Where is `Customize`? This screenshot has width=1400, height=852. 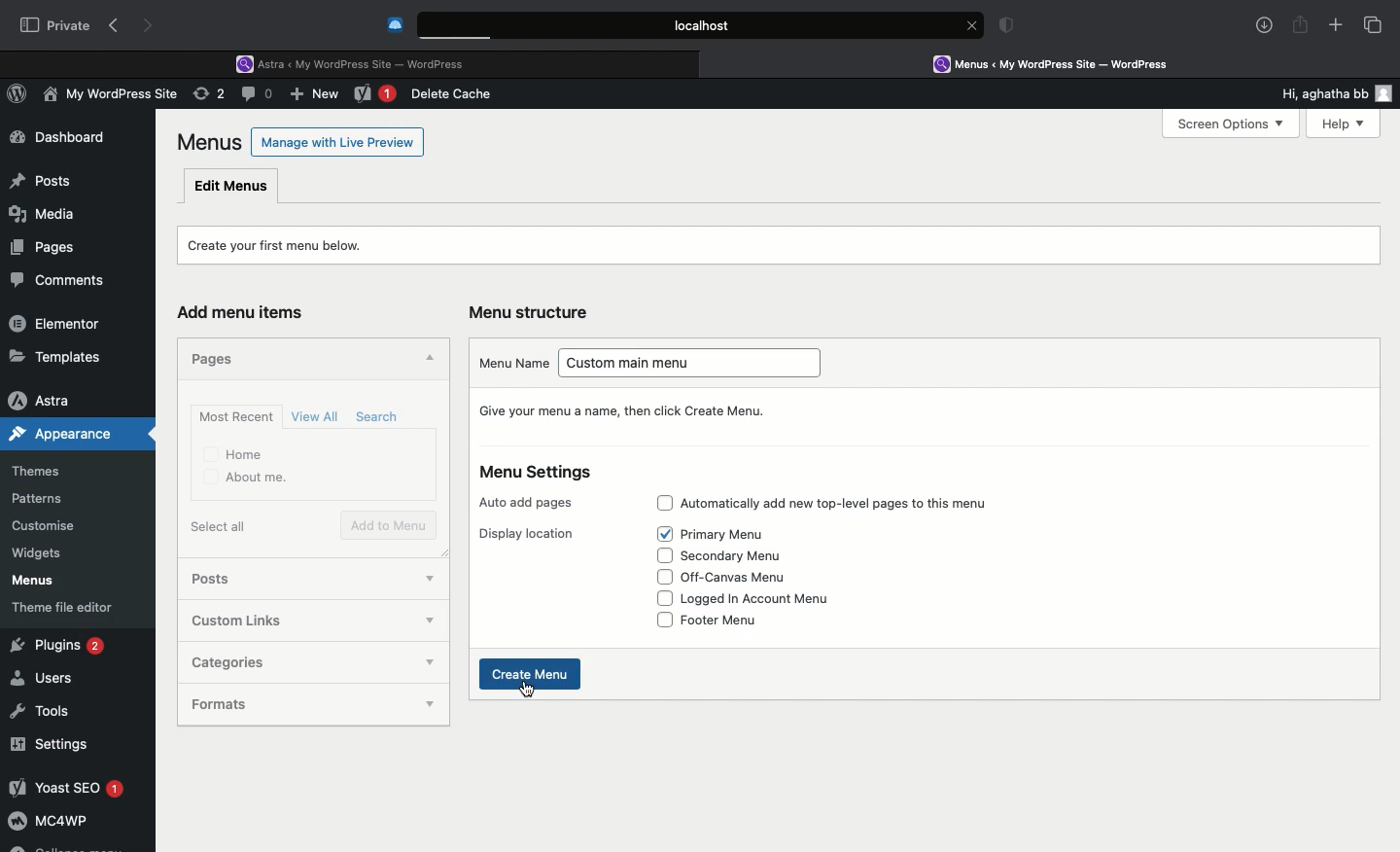 Customize is located at coordinates (47, 529).